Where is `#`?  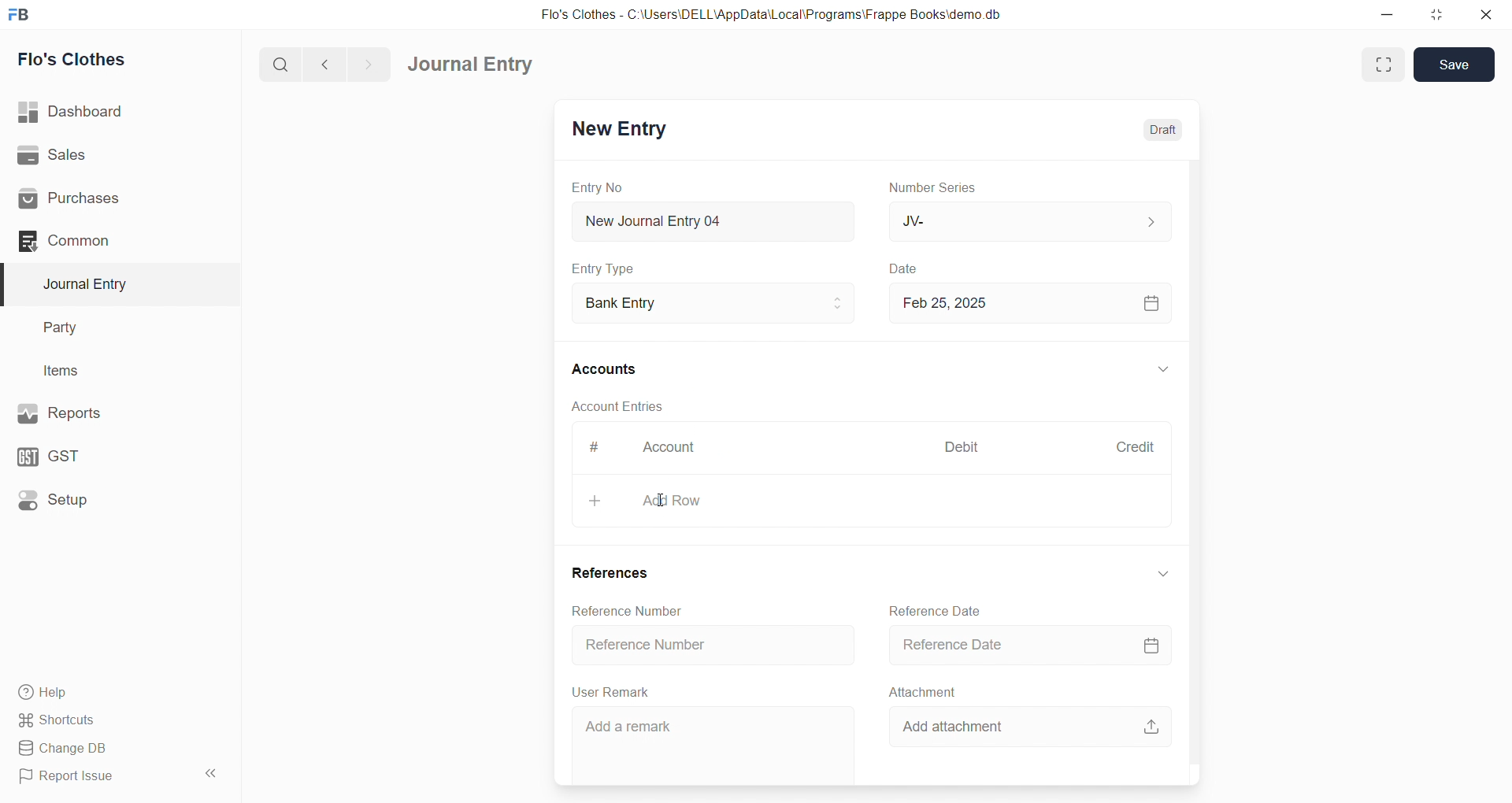
# is located at coordinates (595, 449).